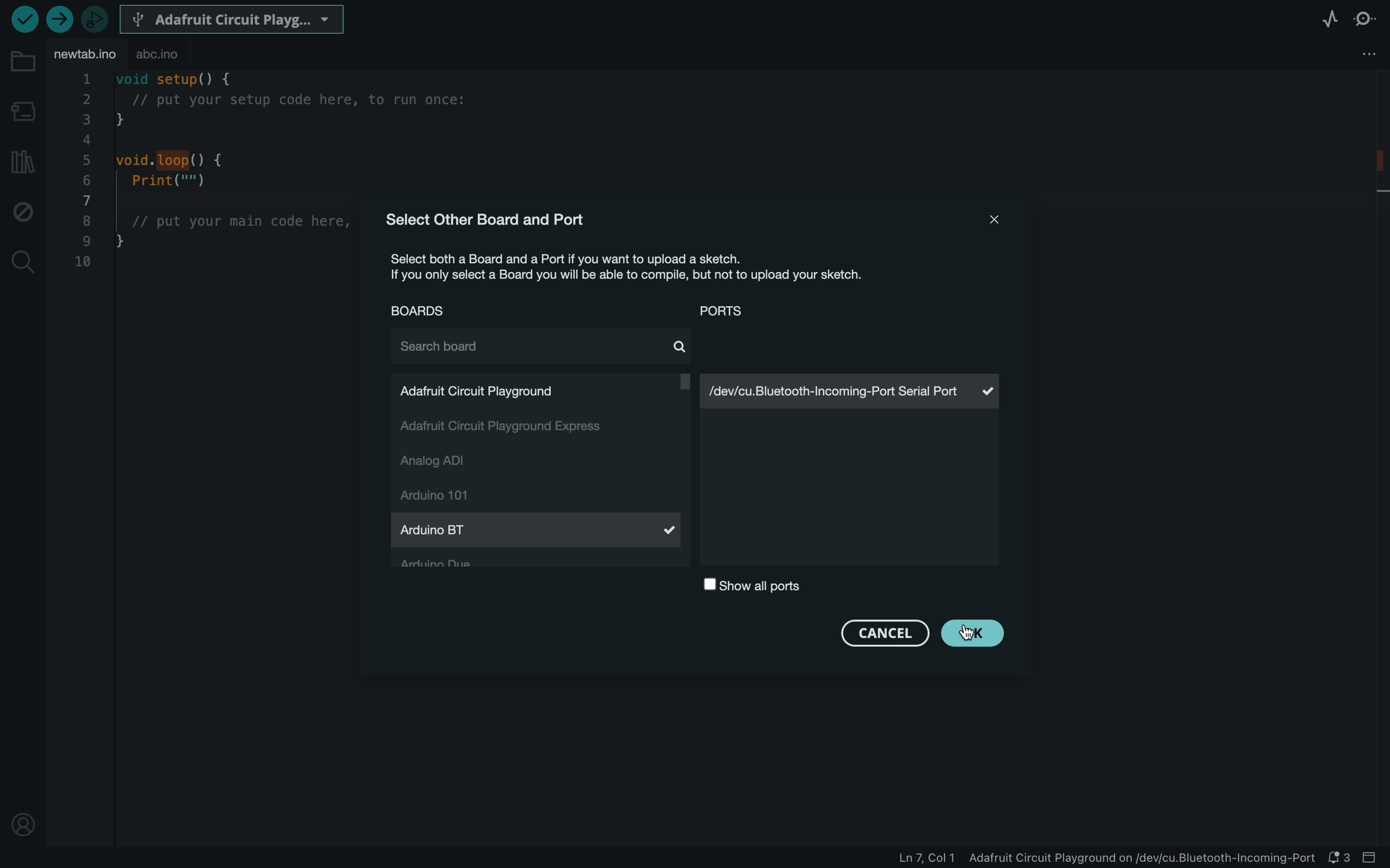  I want to click on show all, so click(759, 588).